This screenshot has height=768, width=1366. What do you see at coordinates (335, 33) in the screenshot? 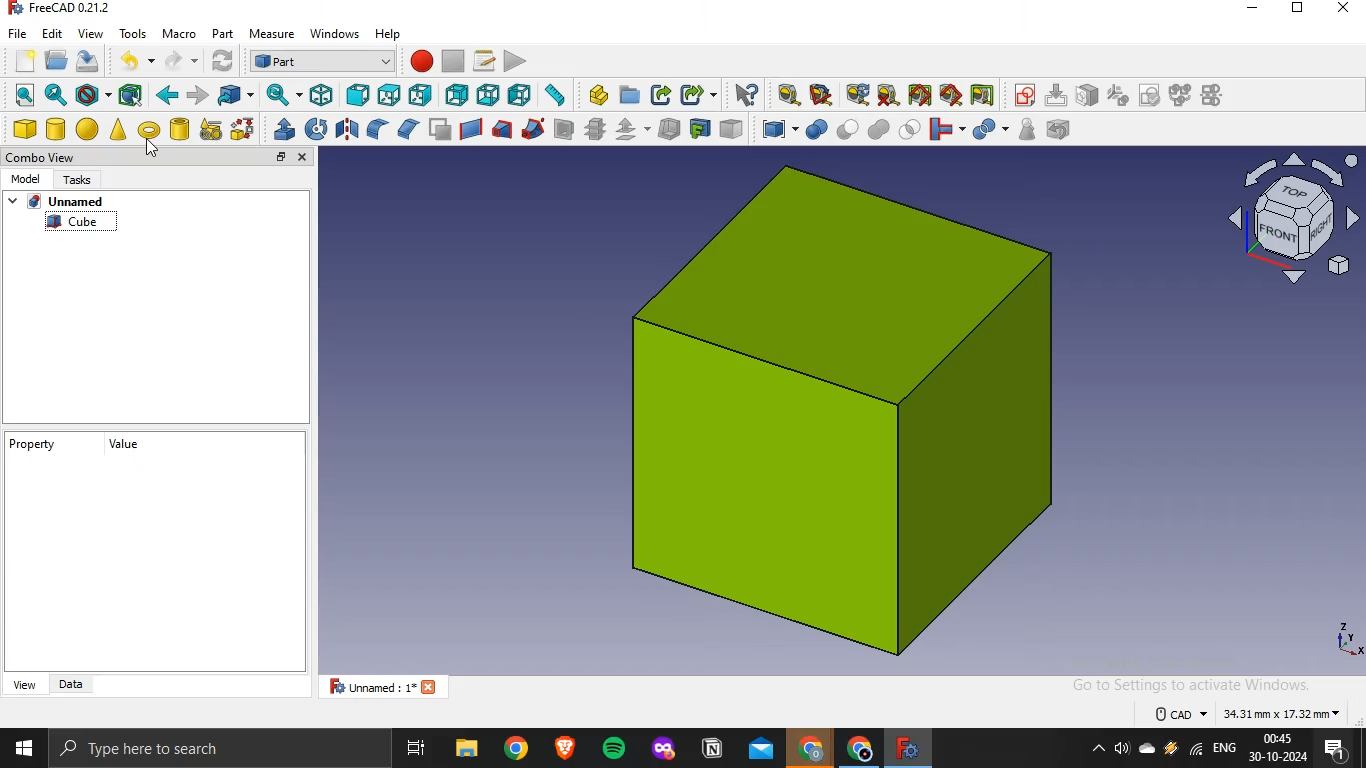
I see `windows` at bounding box center [335, 33].